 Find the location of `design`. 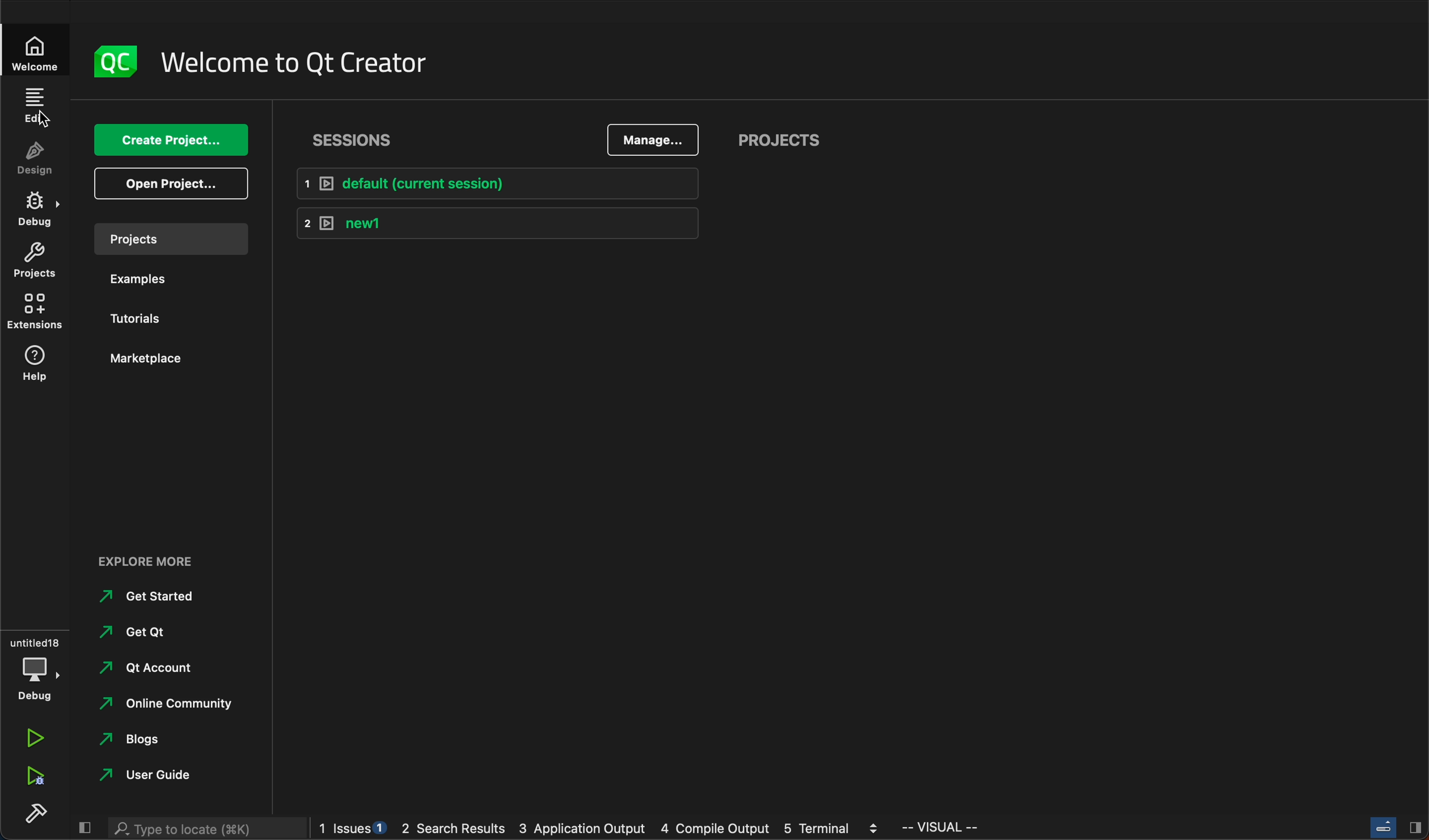

design is located at coordinates (34, 158).